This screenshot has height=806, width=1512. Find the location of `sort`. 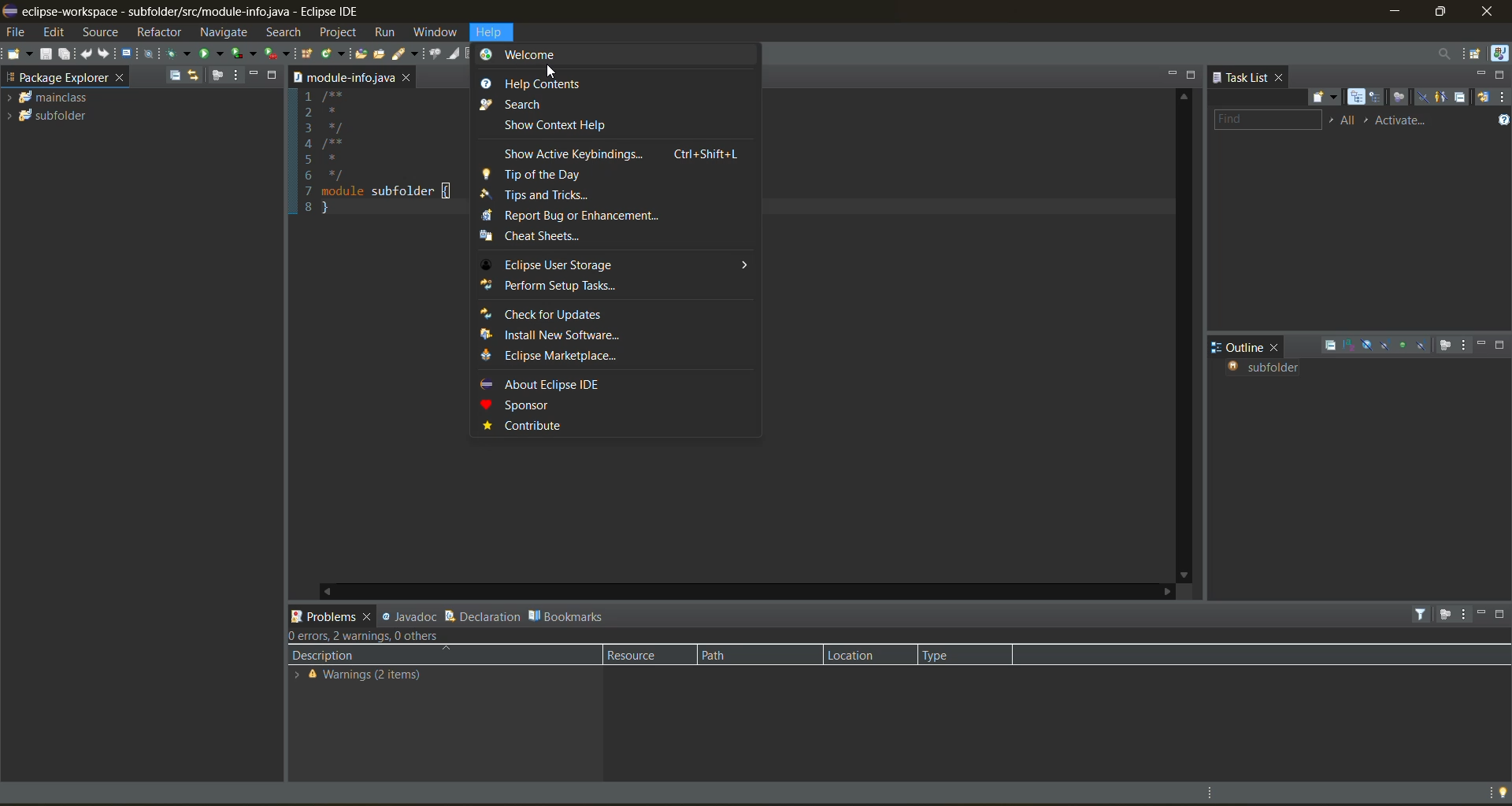

sort is located at coordinates (1350, 345).